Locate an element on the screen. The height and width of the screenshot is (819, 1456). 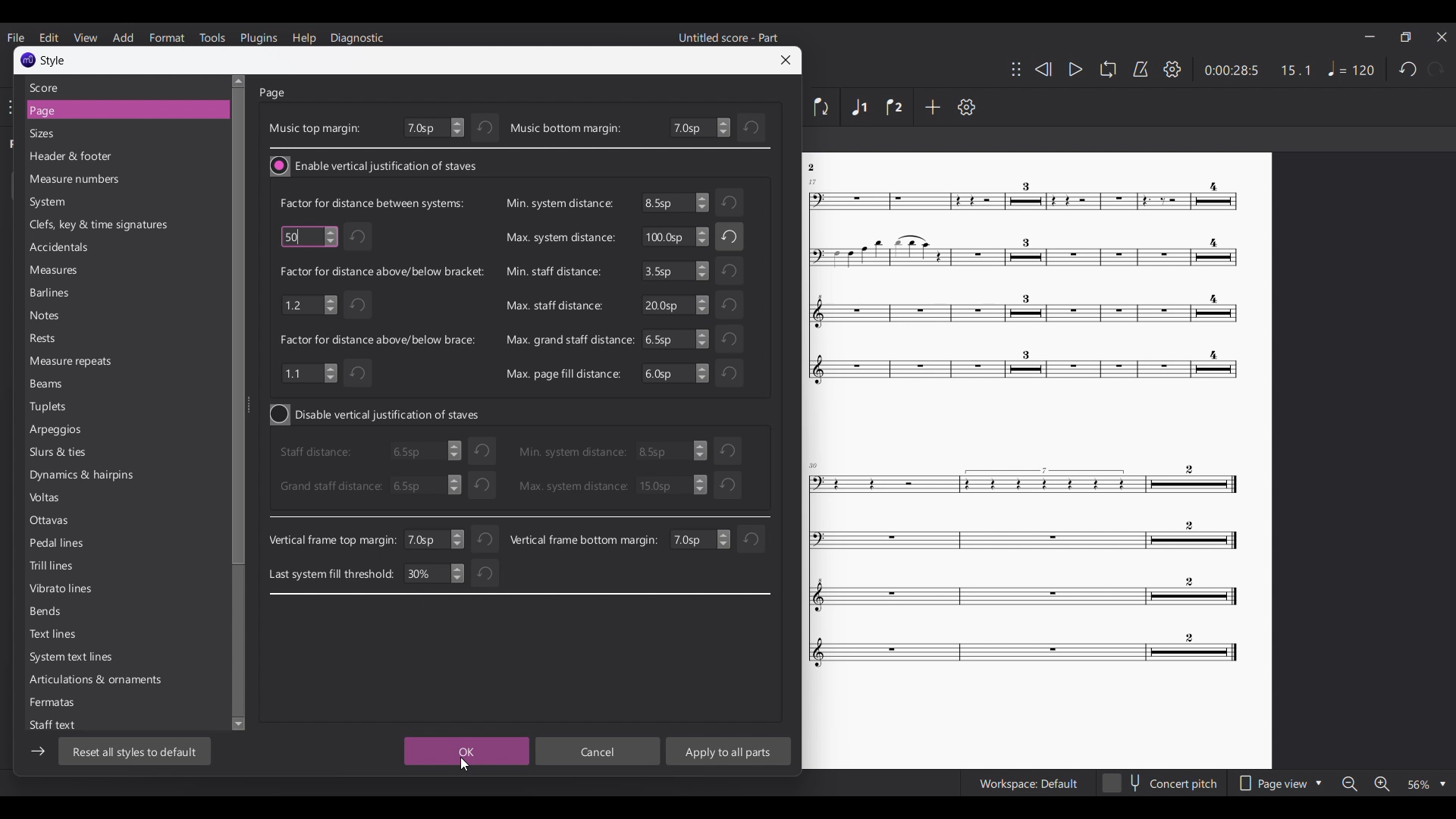
Text lines is located at coordinates (79, 635).